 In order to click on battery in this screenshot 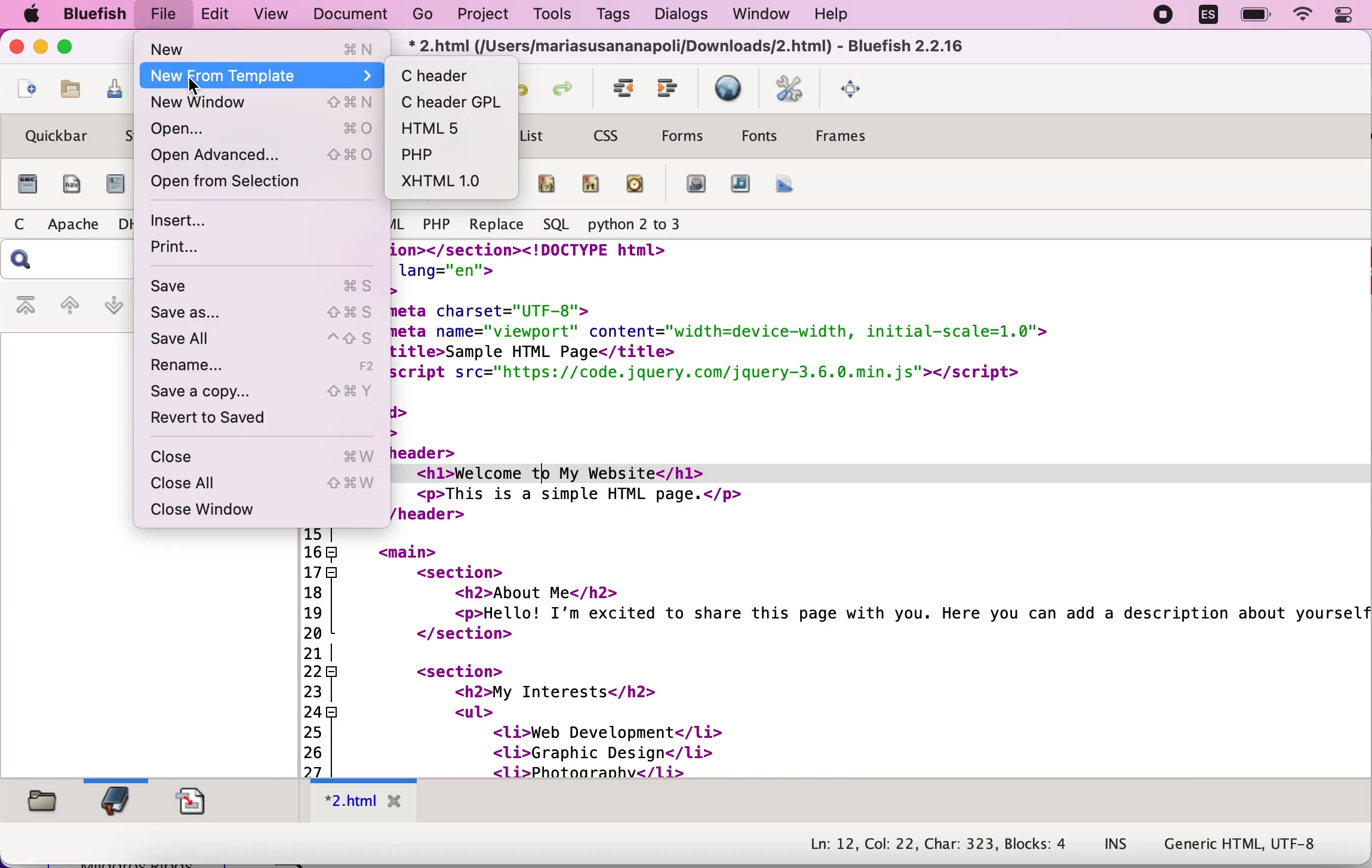, I will do `click(1254, 15)`.